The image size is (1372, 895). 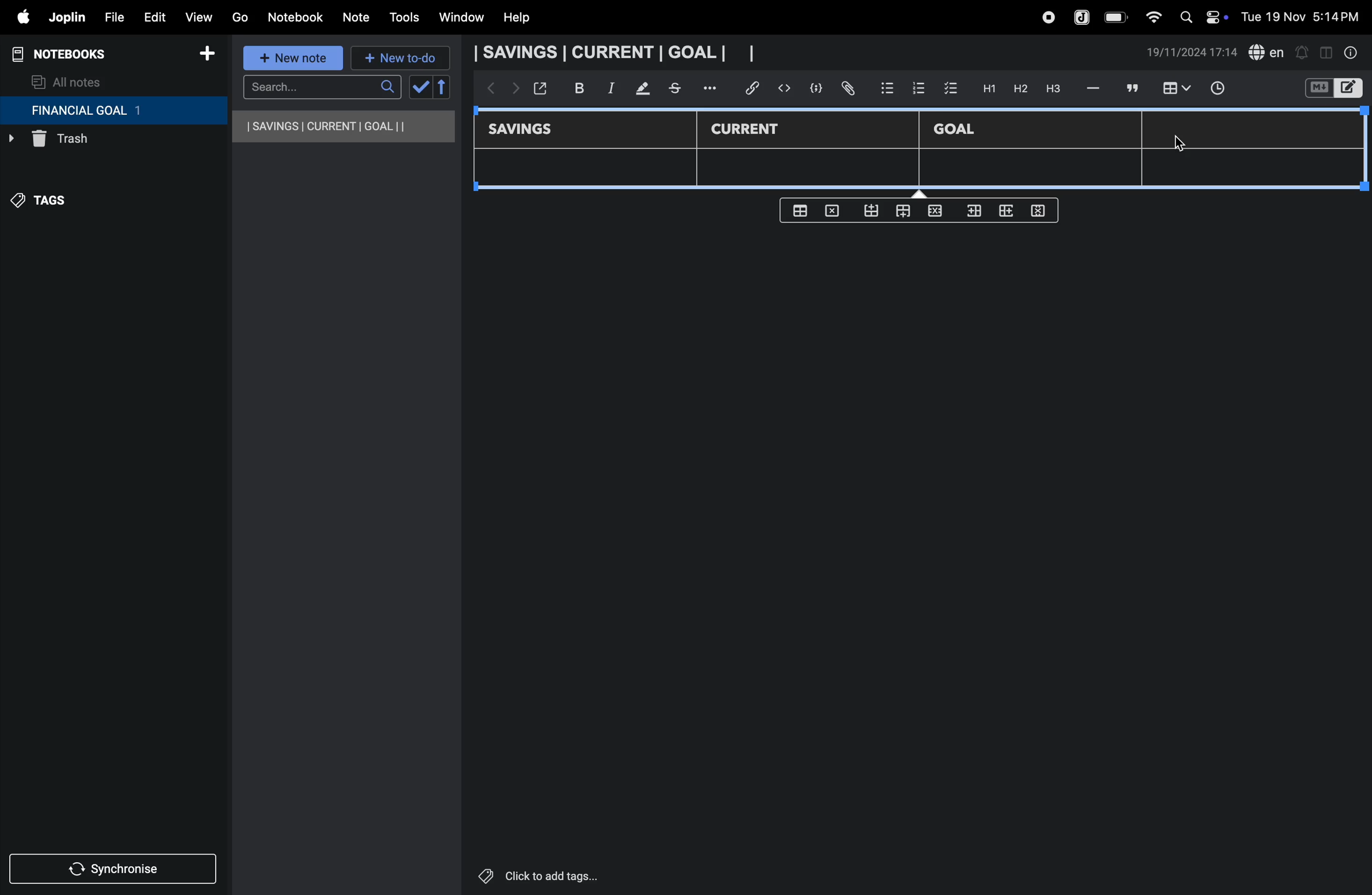 I want to click on delete, so click(x=835, y=210).